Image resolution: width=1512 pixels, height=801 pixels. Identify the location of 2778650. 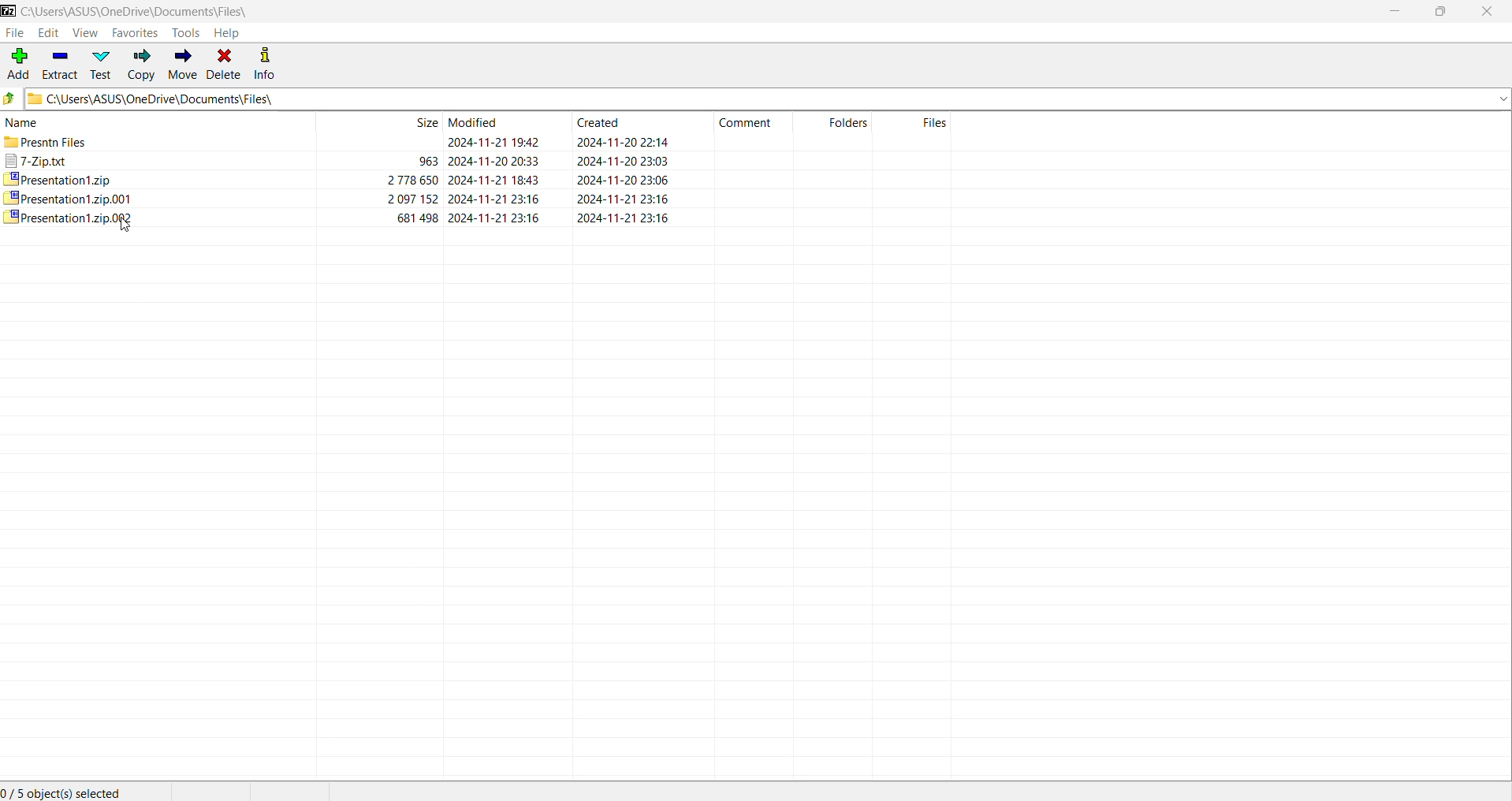
(410, 182).